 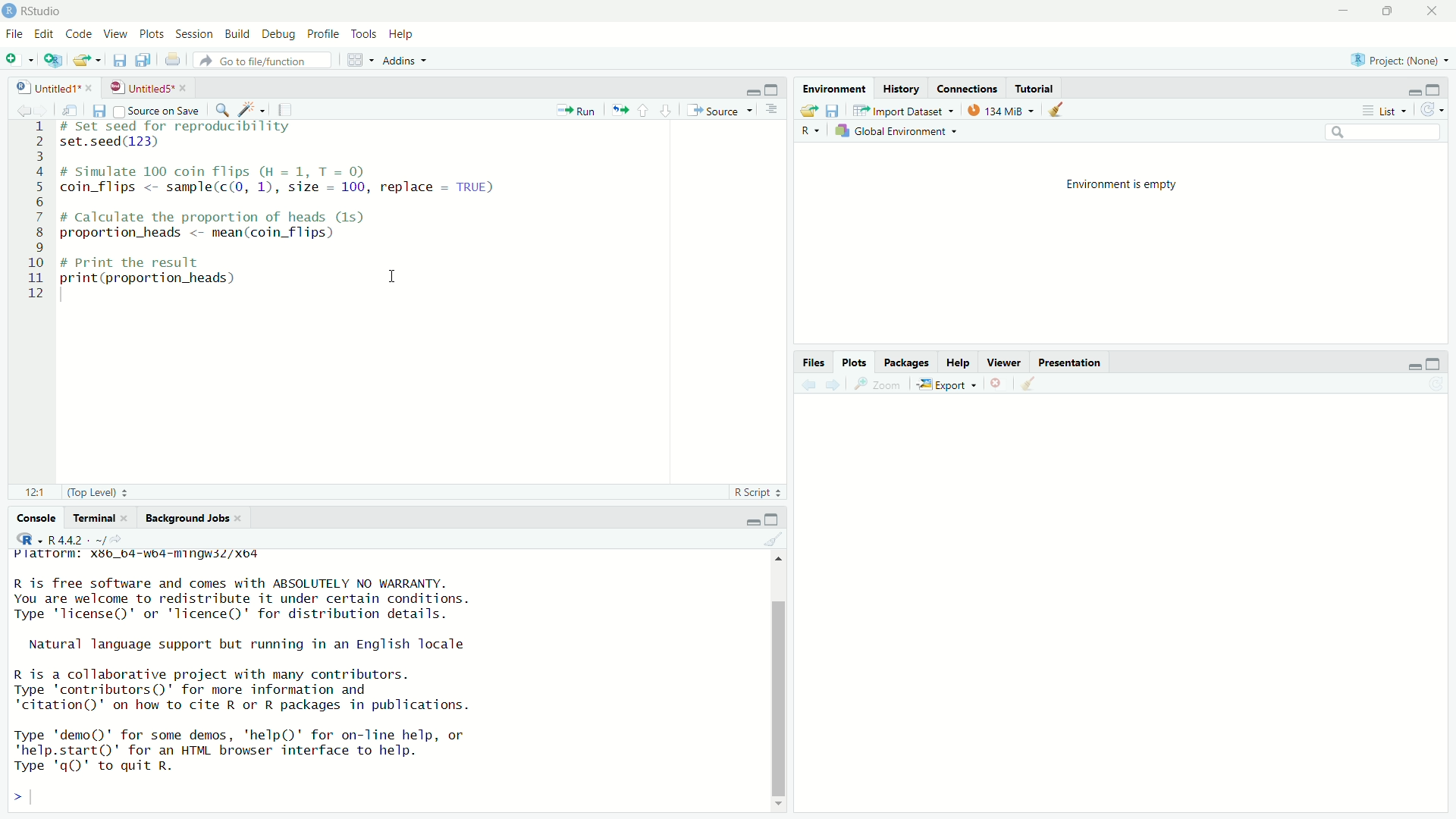 What do you see at coordinates (116, 35) in the screenshot?
I see `view` at bounding box center [116, 35].